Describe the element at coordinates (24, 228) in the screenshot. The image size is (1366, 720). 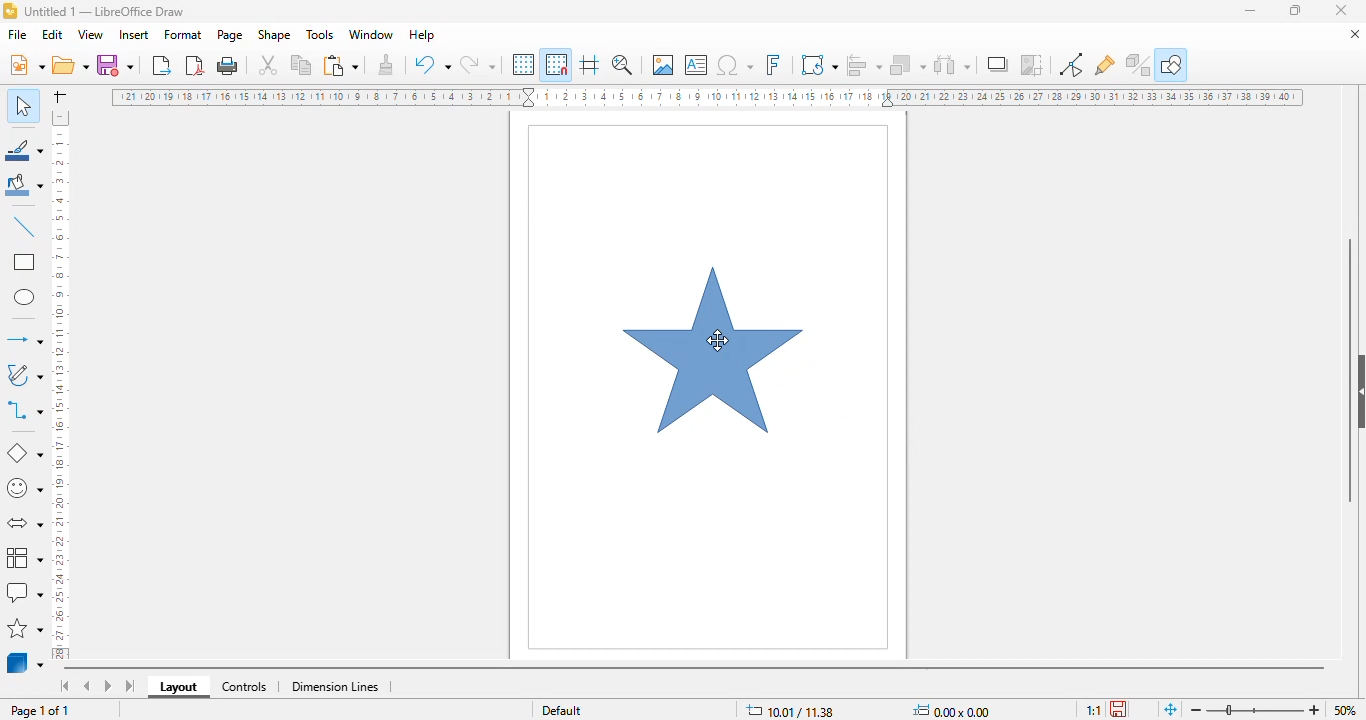
I see `insert line` at that location.